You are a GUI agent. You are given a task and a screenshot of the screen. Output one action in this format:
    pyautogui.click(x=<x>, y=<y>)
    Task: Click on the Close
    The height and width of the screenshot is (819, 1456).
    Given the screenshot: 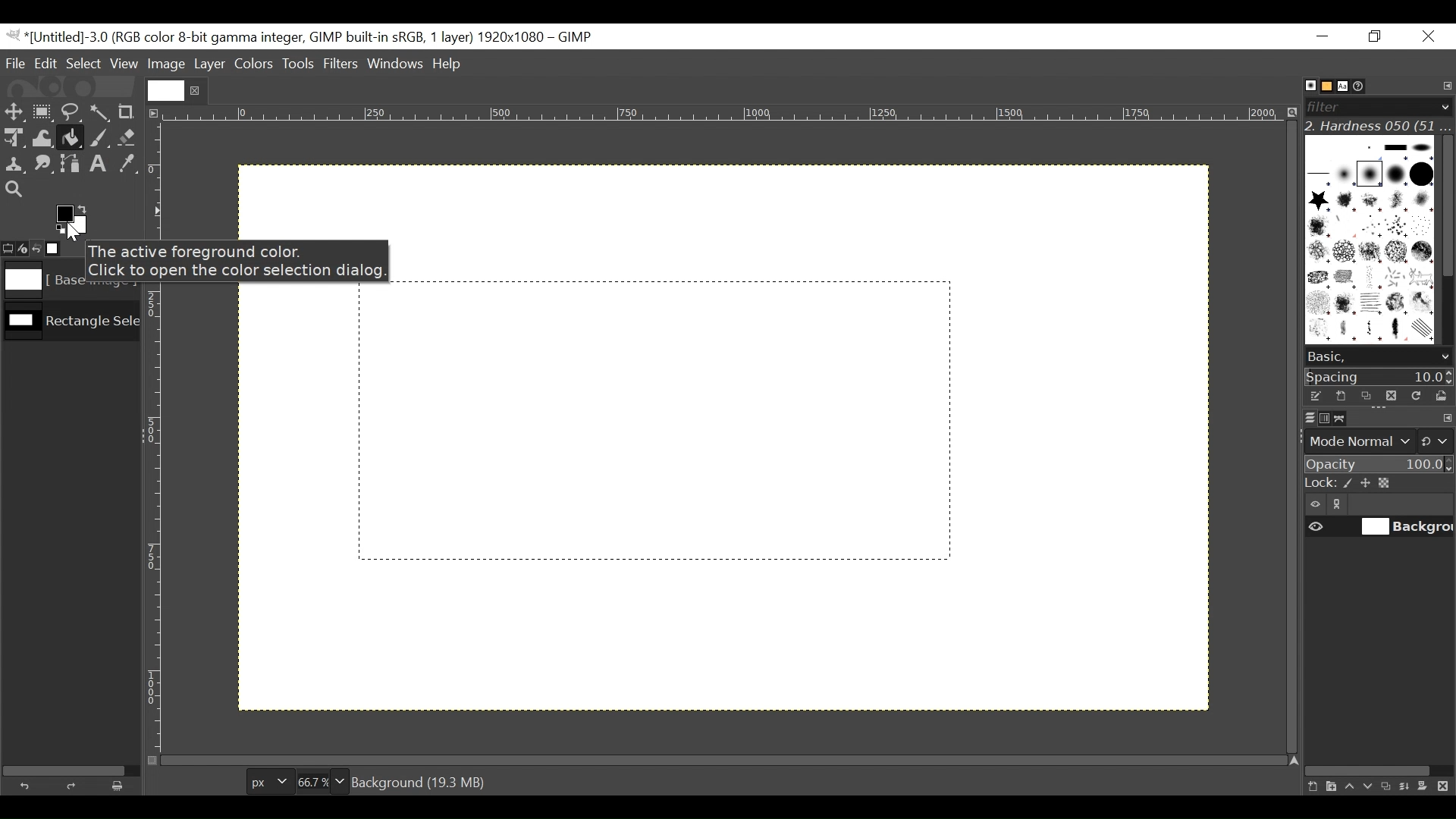 What is the action you would take?
    pyautogui.click(x=1427, y=37)
    